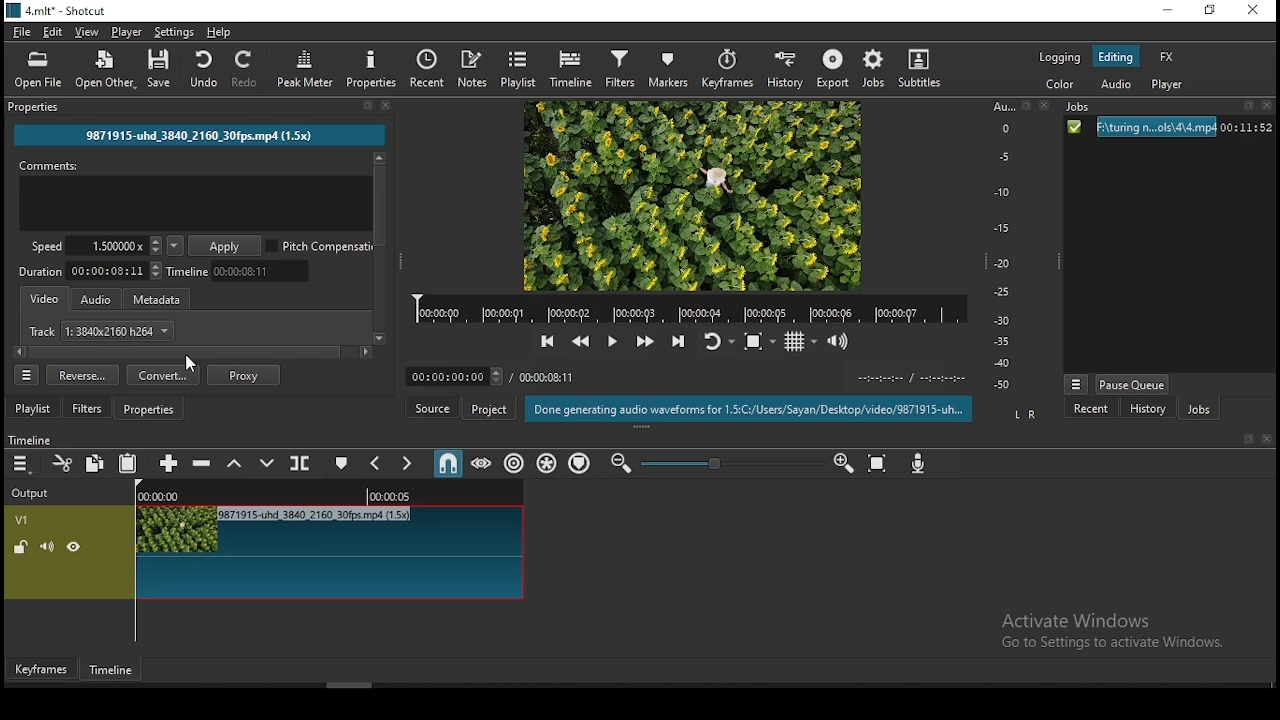  I want to click on markers, so click(669, 69).